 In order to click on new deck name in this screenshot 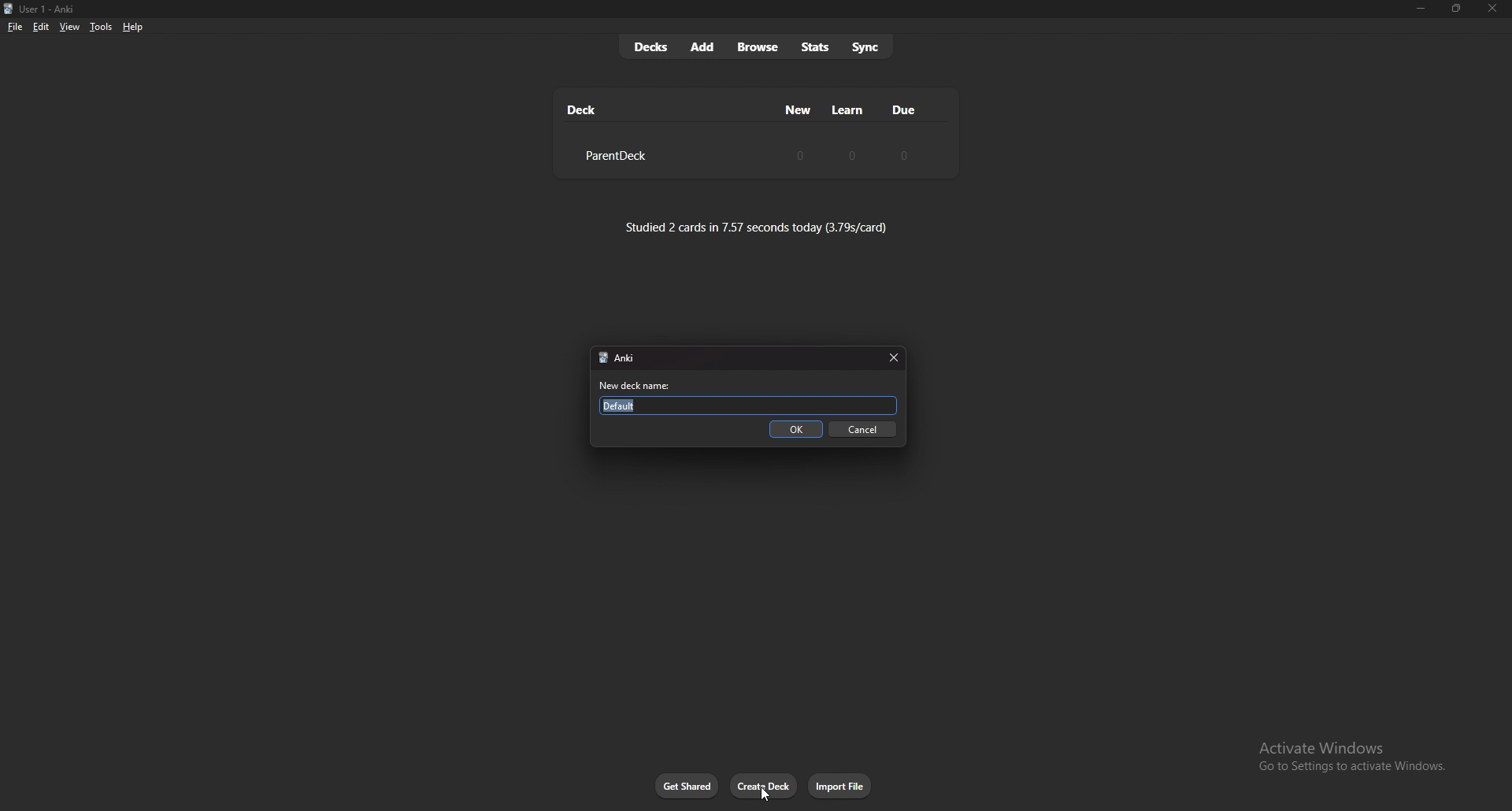, I will do `click(639, 386)`.